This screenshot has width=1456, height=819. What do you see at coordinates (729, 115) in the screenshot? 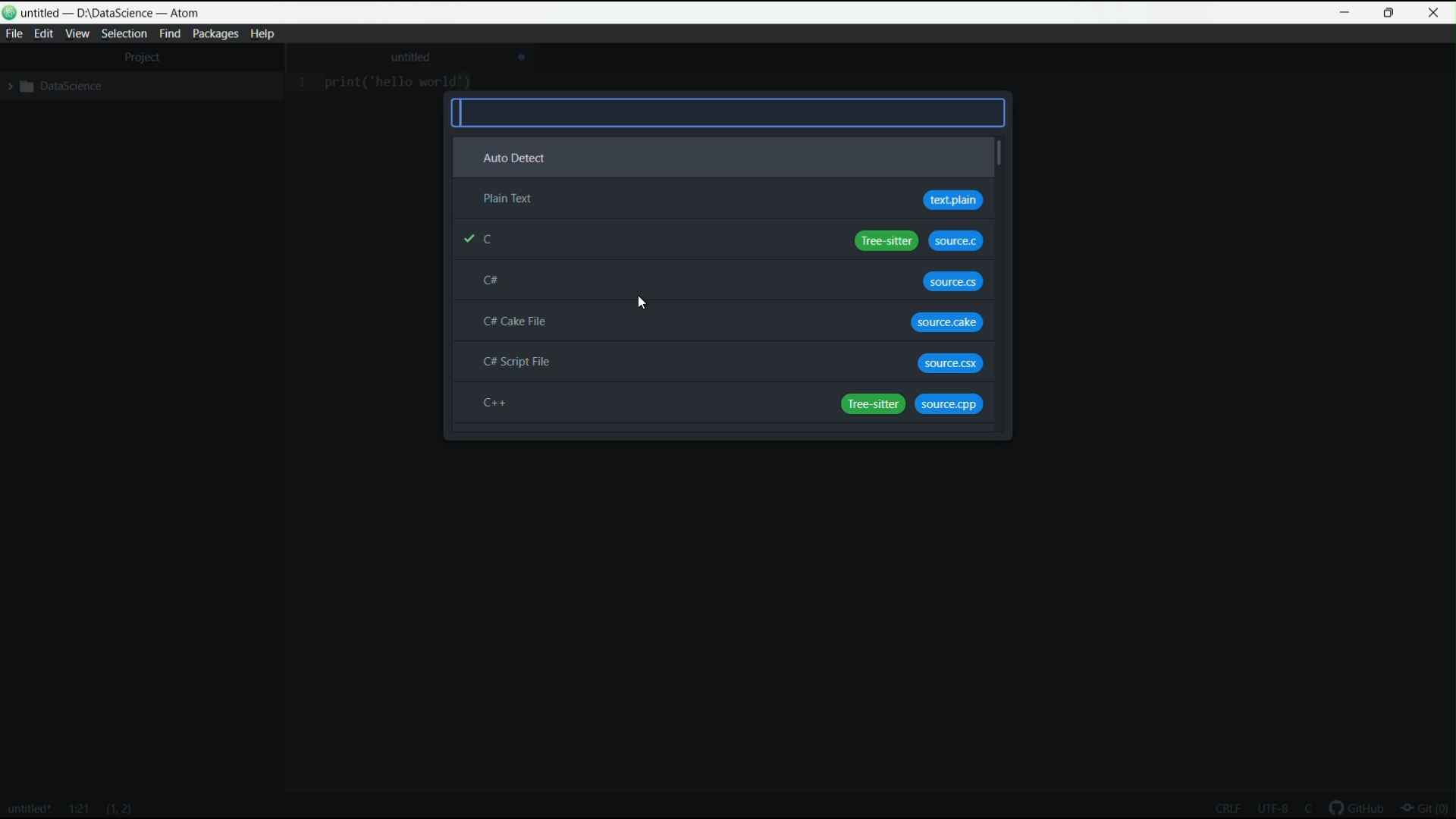
I see `search bar` at bounding box center [729, 115].